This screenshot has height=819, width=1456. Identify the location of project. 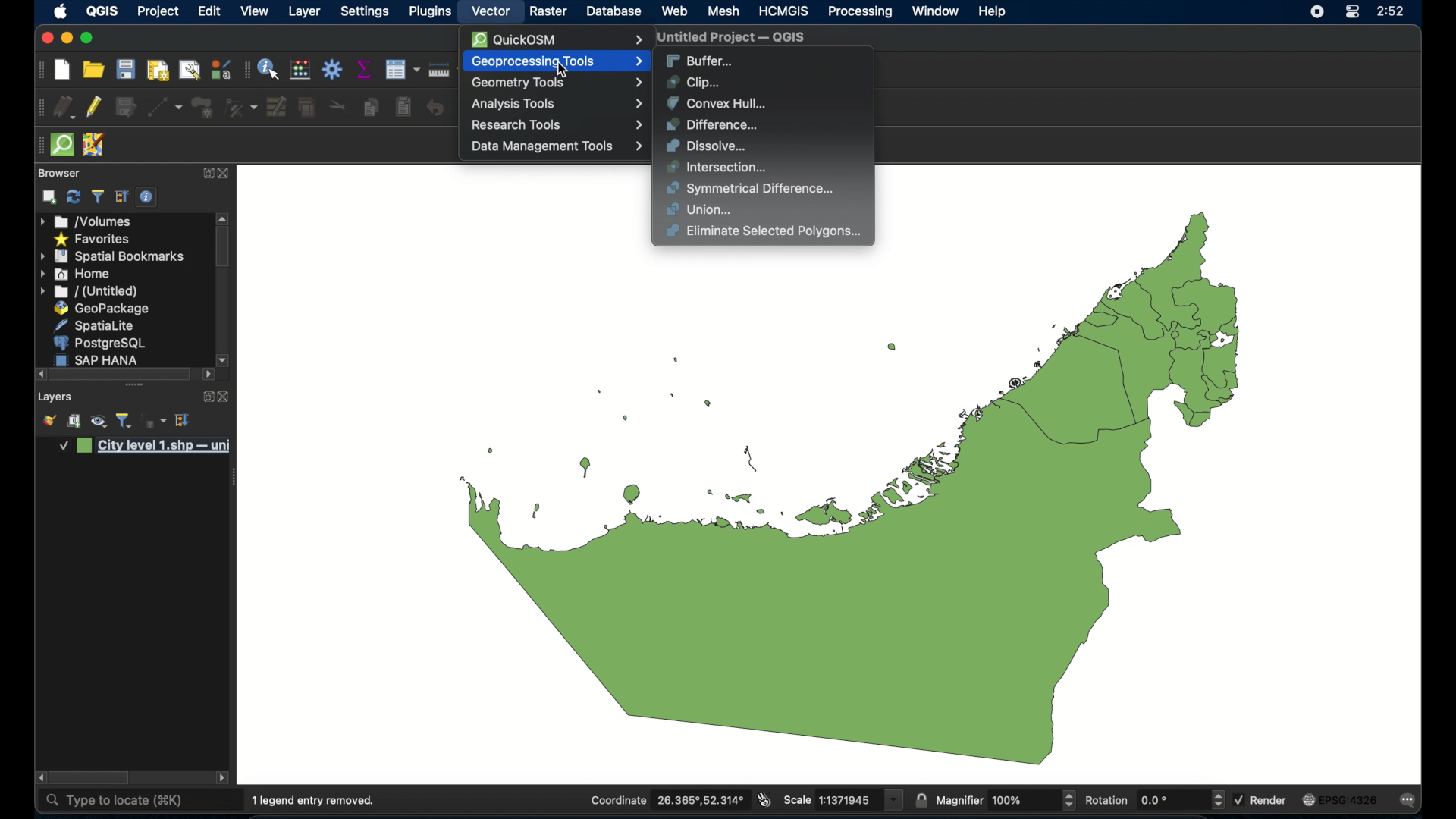
(158, 12).